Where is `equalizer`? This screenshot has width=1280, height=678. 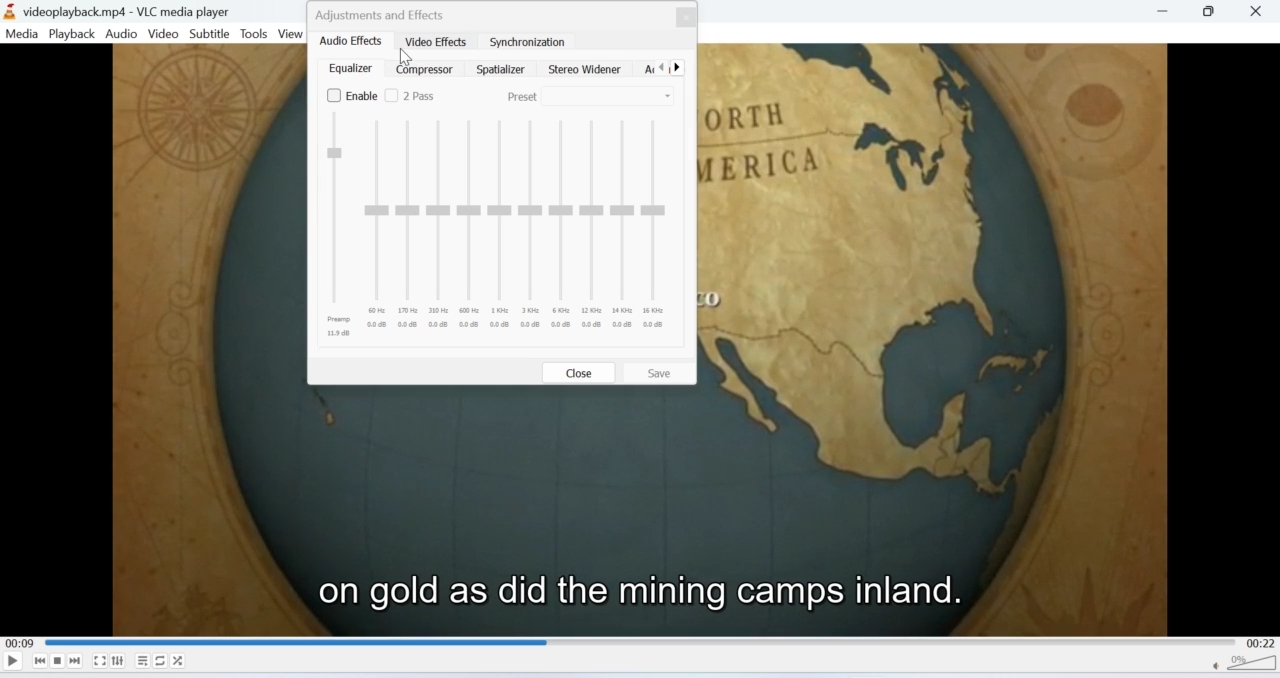
equalizer is located at coordinates (347, 67).